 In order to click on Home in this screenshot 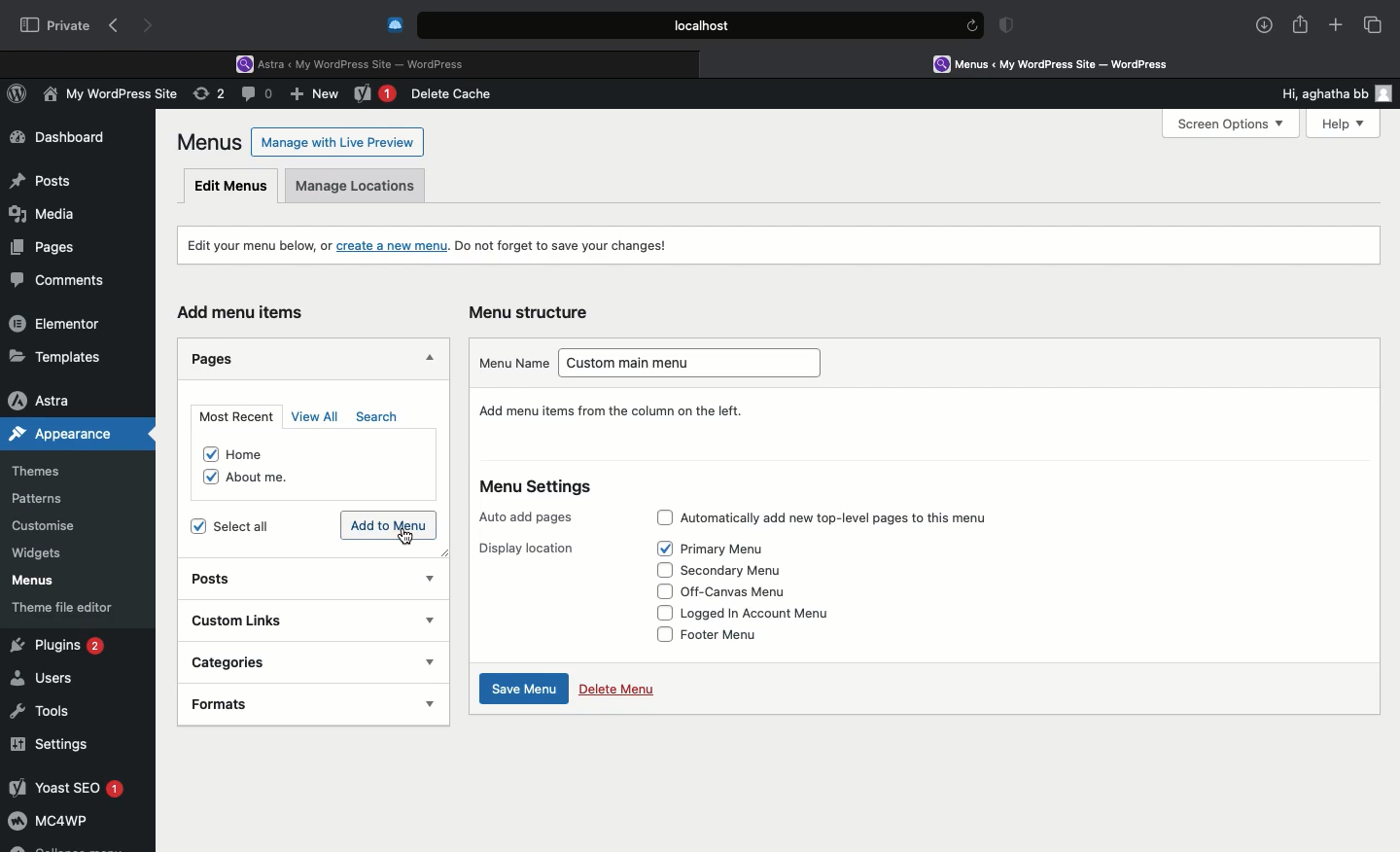, I will do `click(260, 449)`.